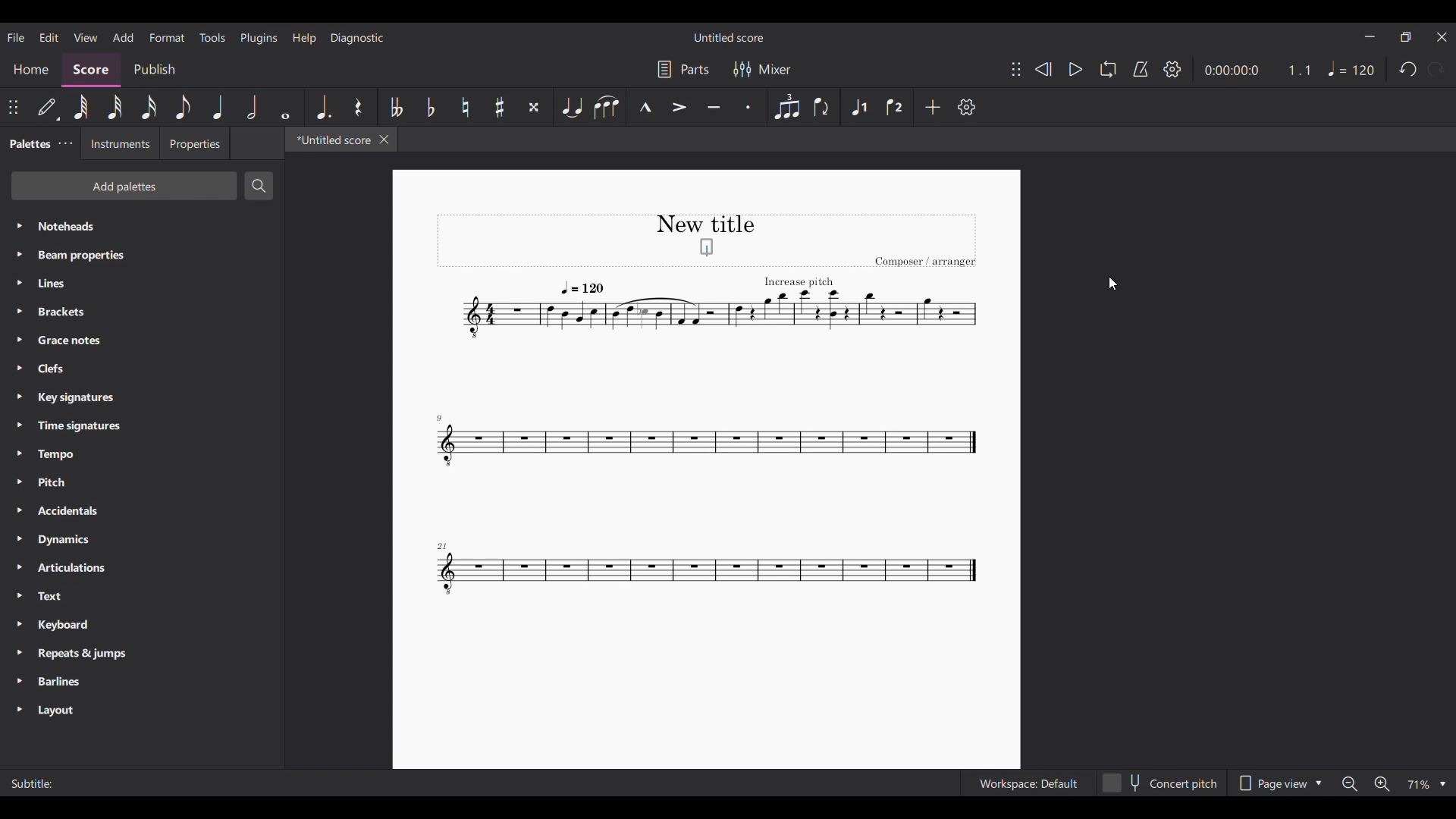 The height and width of the screenshot is (819, 1456). I want to click on Beam properties, so click(141, 255).